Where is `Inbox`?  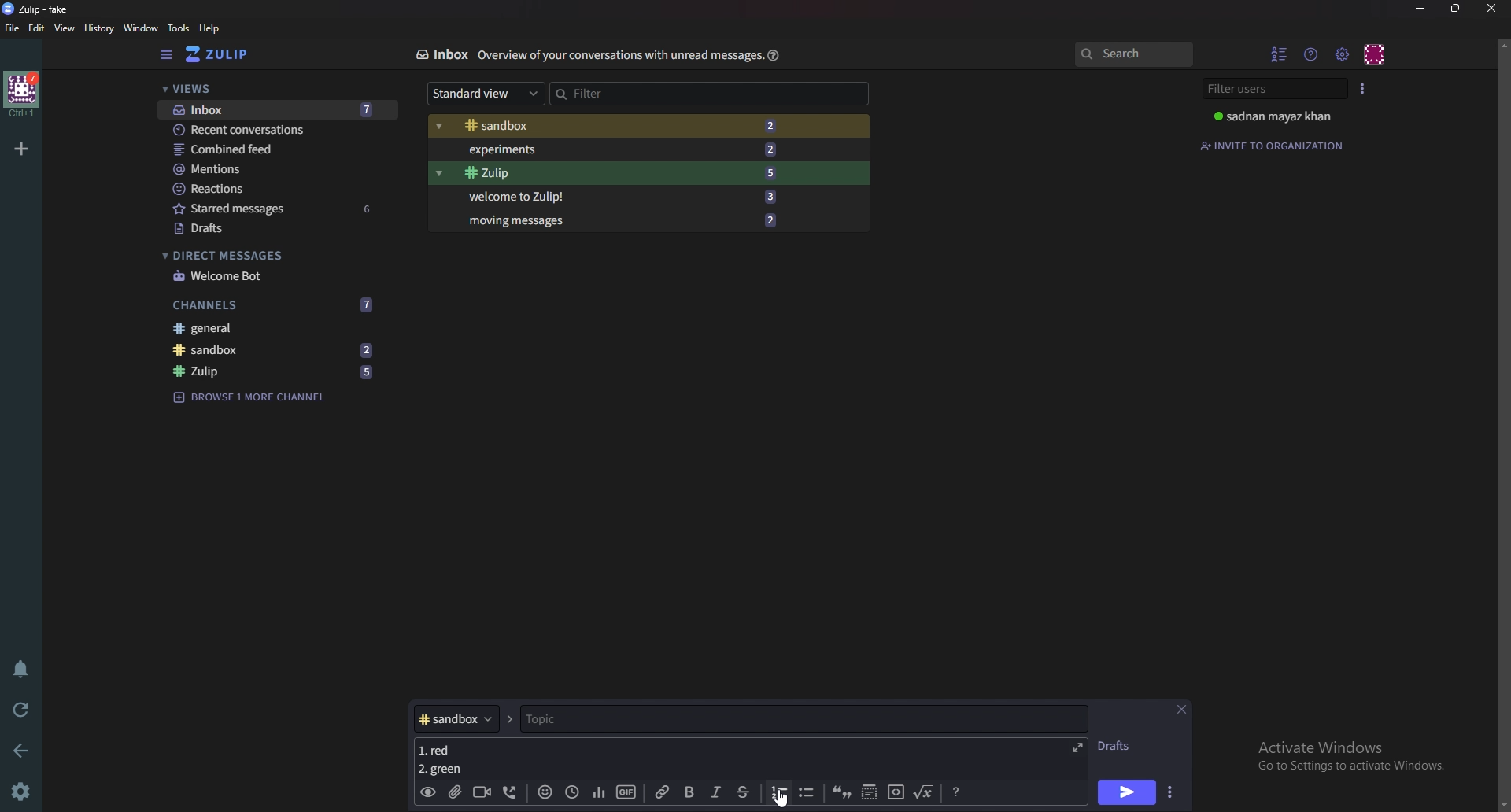 Inbox is located at coordinates (272, 109).